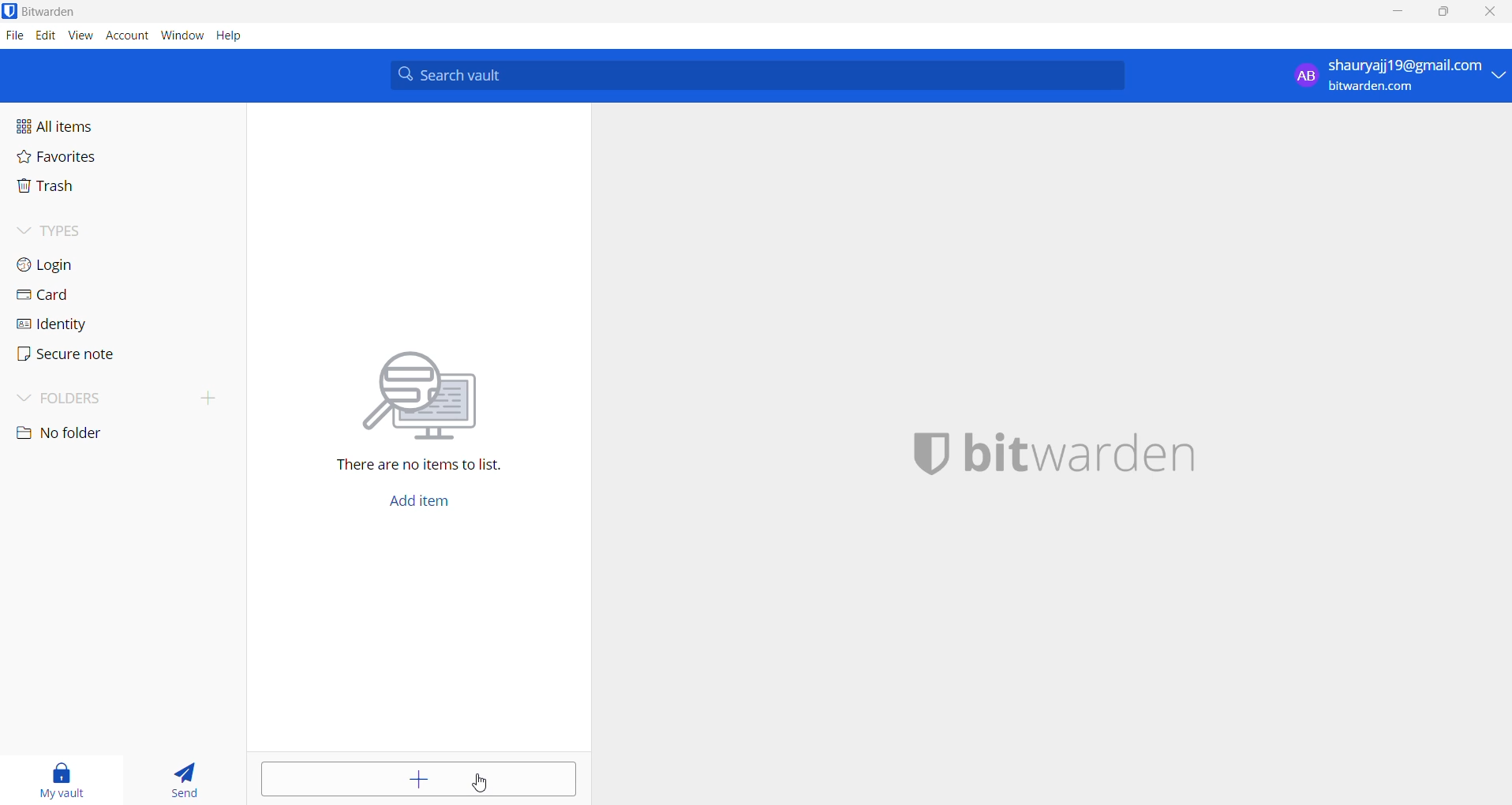  What do you see at coordinates (85, 324) in the screenshot?
I see `identity` at bounding box center [85, 324].